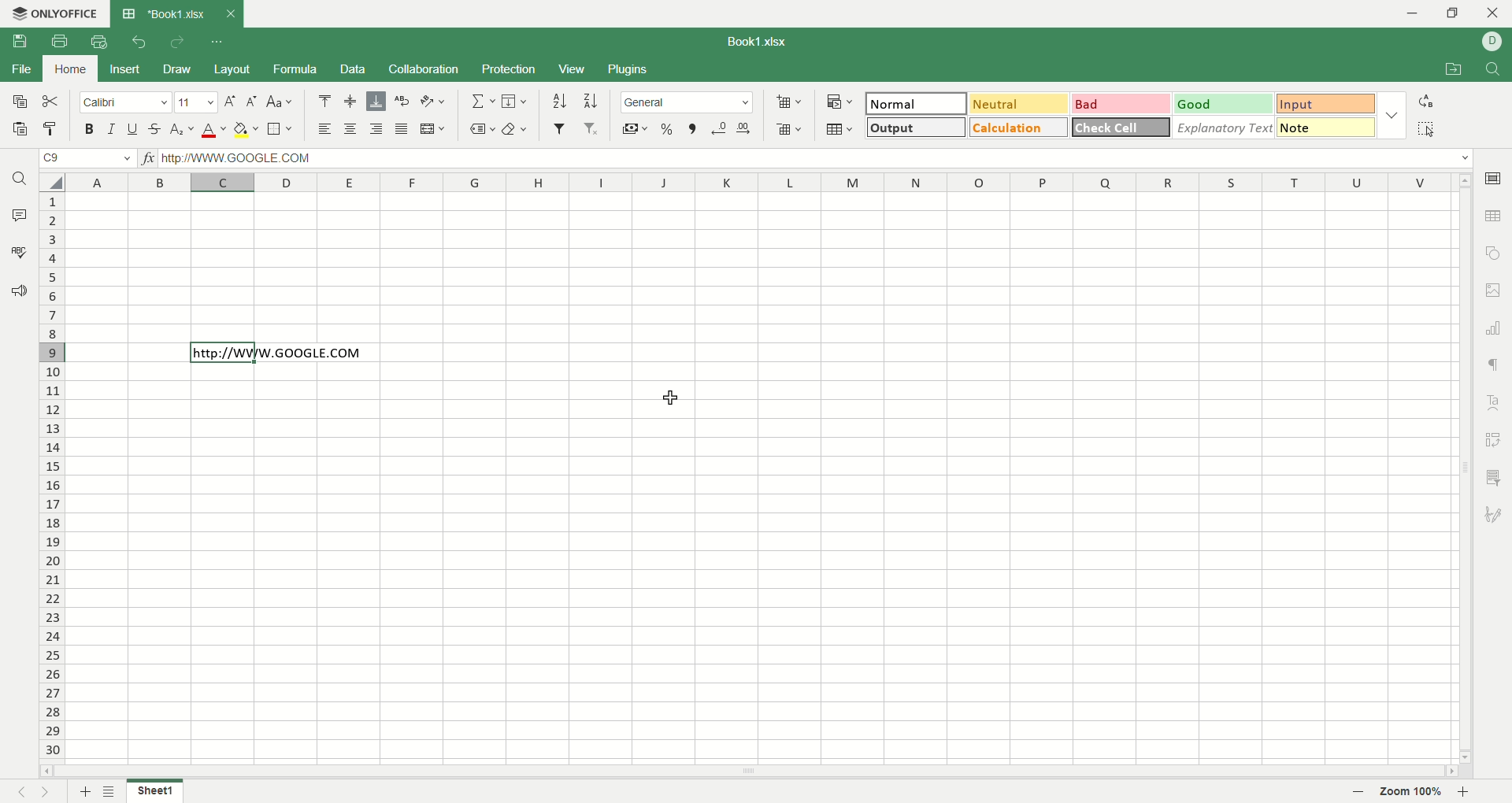 This screenshot has width=1512, height=803. What do you see at coordinates (52, 130) in the screenshot?
I see `copy style` at bounding box center [52, 130].